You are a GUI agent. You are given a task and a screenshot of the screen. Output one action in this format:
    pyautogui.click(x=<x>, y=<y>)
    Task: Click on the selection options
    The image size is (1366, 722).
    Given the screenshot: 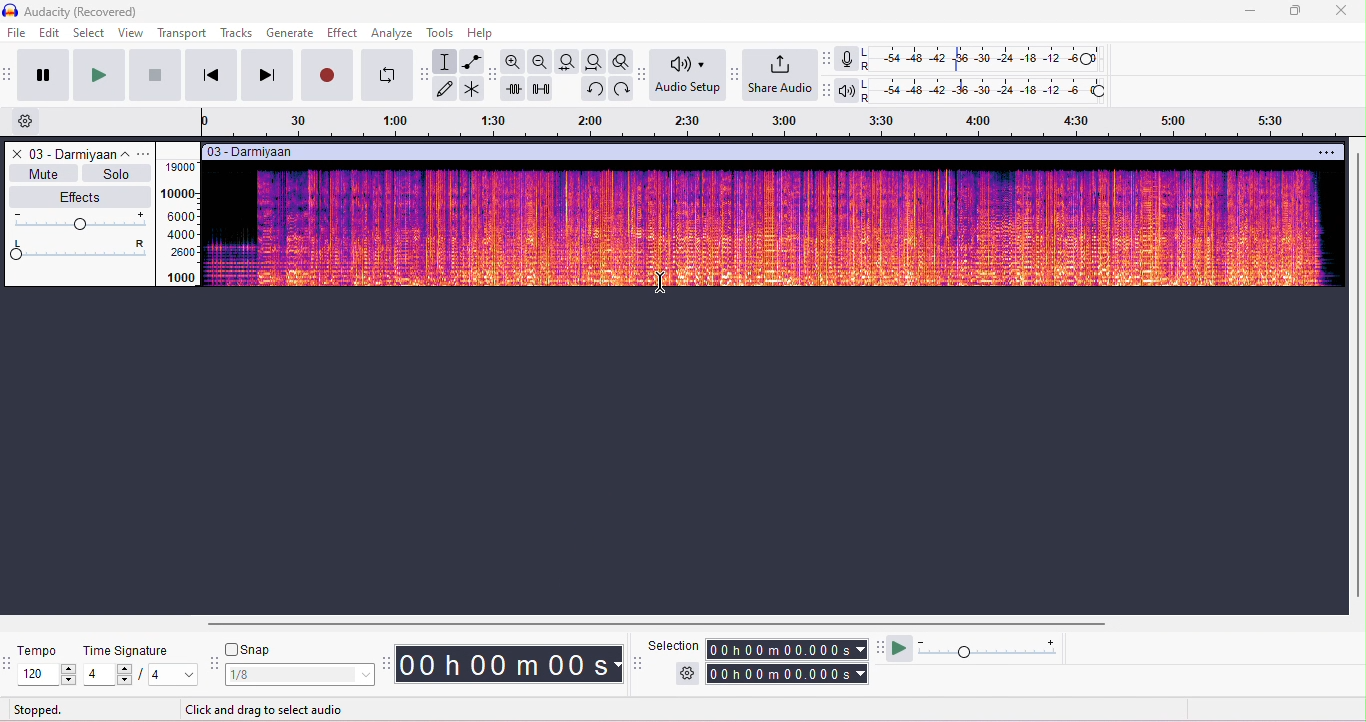 What is the action you would take?
    pyautogui.click(x=689, y=672)
    